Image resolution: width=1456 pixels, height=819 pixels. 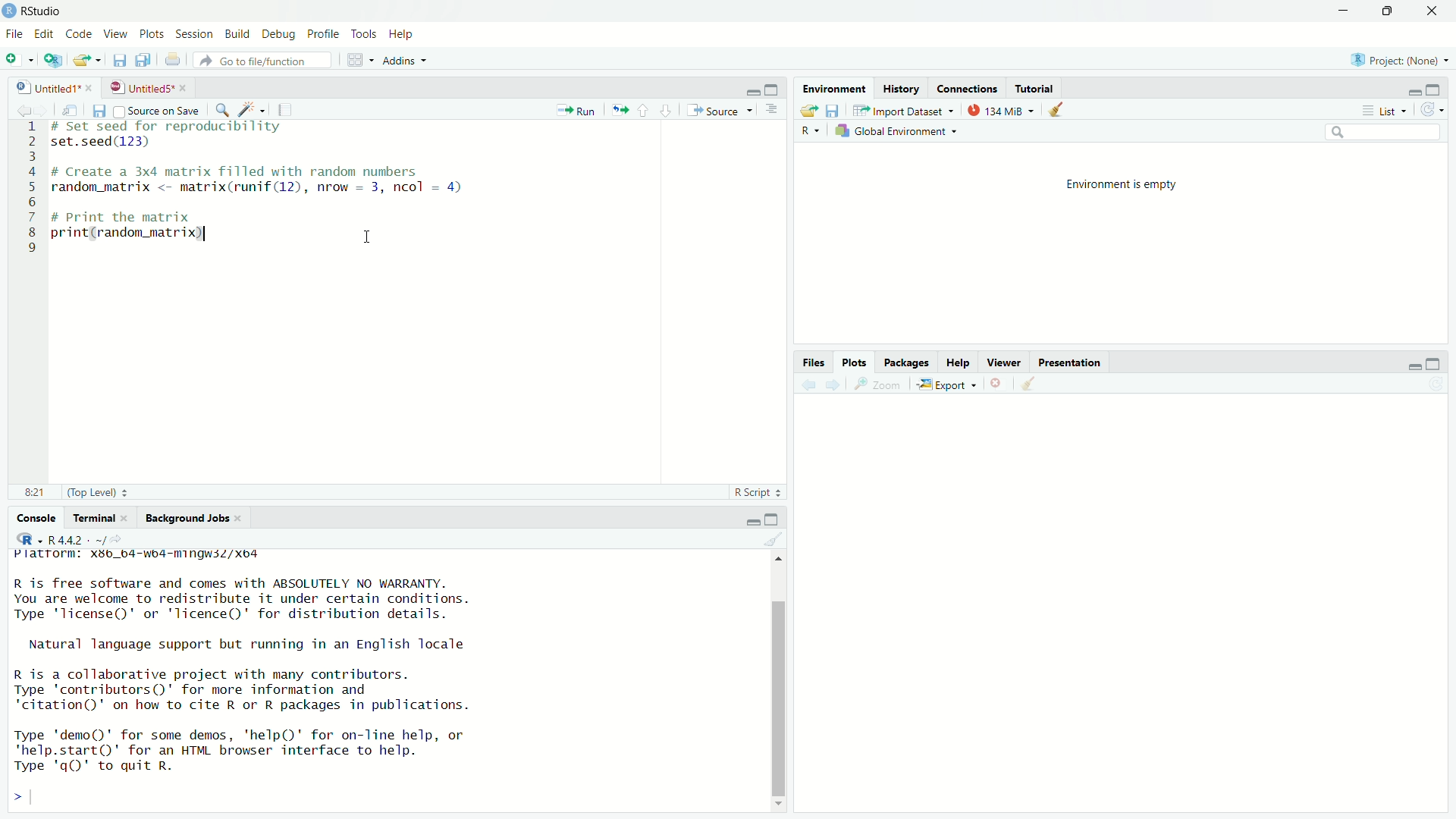 What do you see at coordinates (576, 111) in the screenshot?
I see `Run` at bounding box center [576, 111].